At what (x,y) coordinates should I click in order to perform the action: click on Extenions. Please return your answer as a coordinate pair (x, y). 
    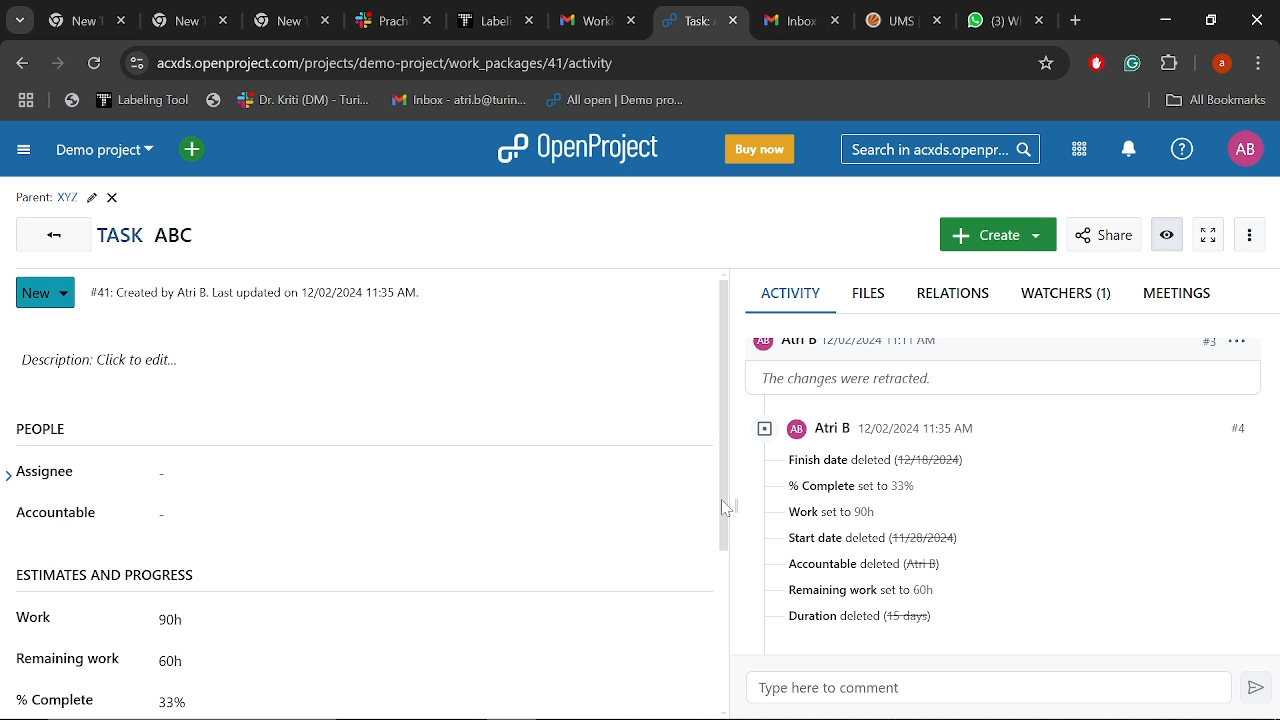
    Looking at the image, I should click on (1169, 65).